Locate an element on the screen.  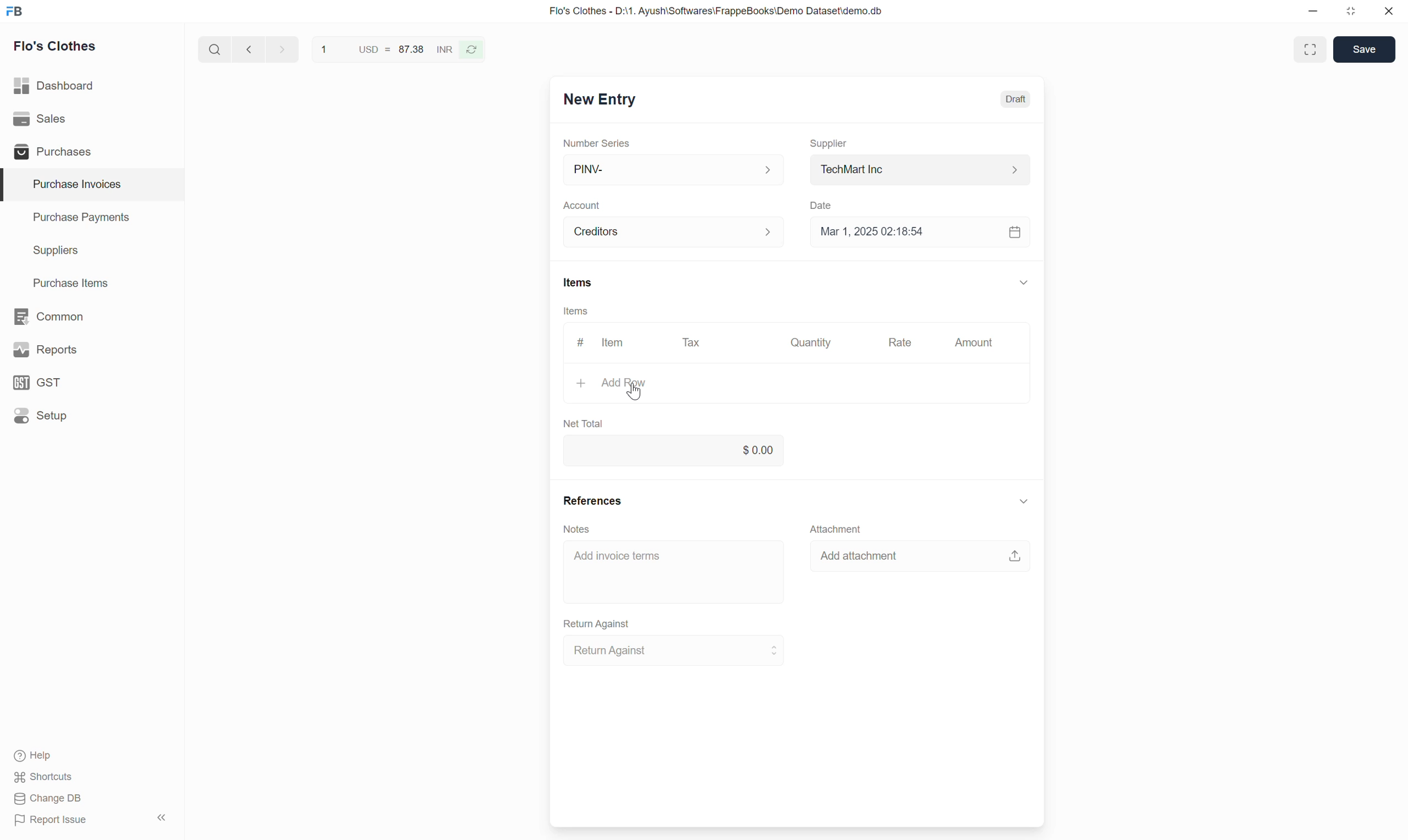
Tax is located at coordinates (695, 342).